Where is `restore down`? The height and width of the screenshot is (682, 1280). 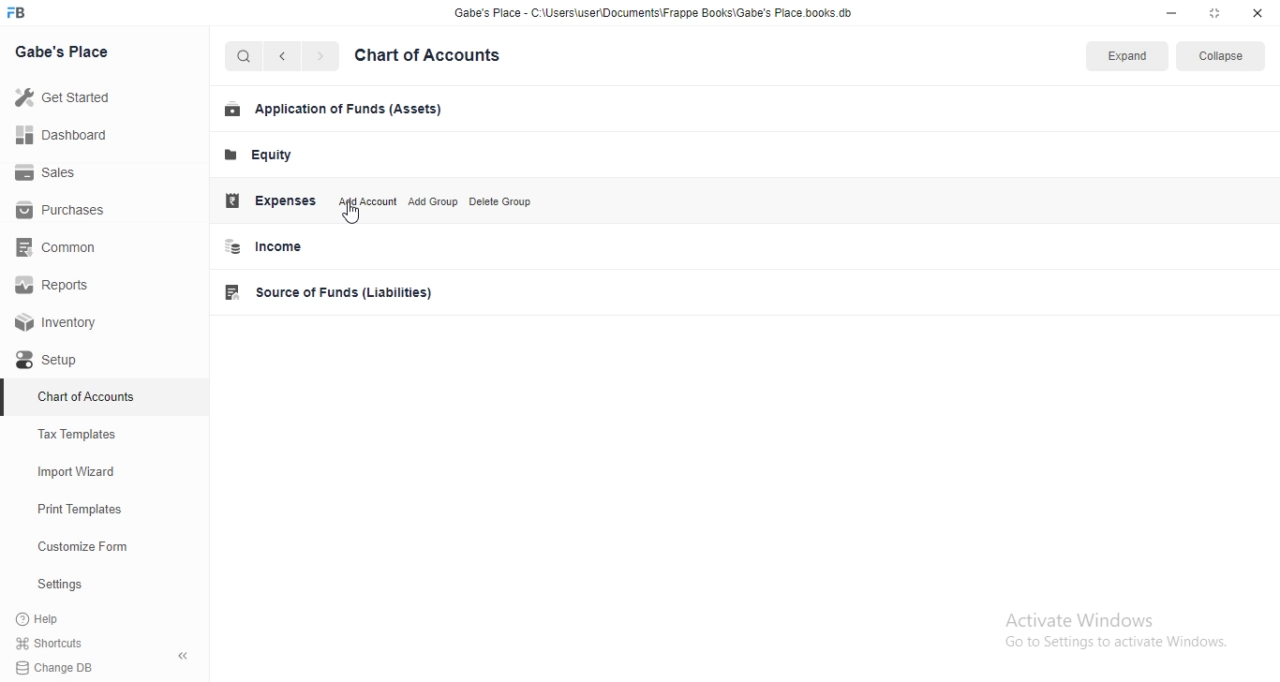
restore down is located at coordinates (1216, 15).